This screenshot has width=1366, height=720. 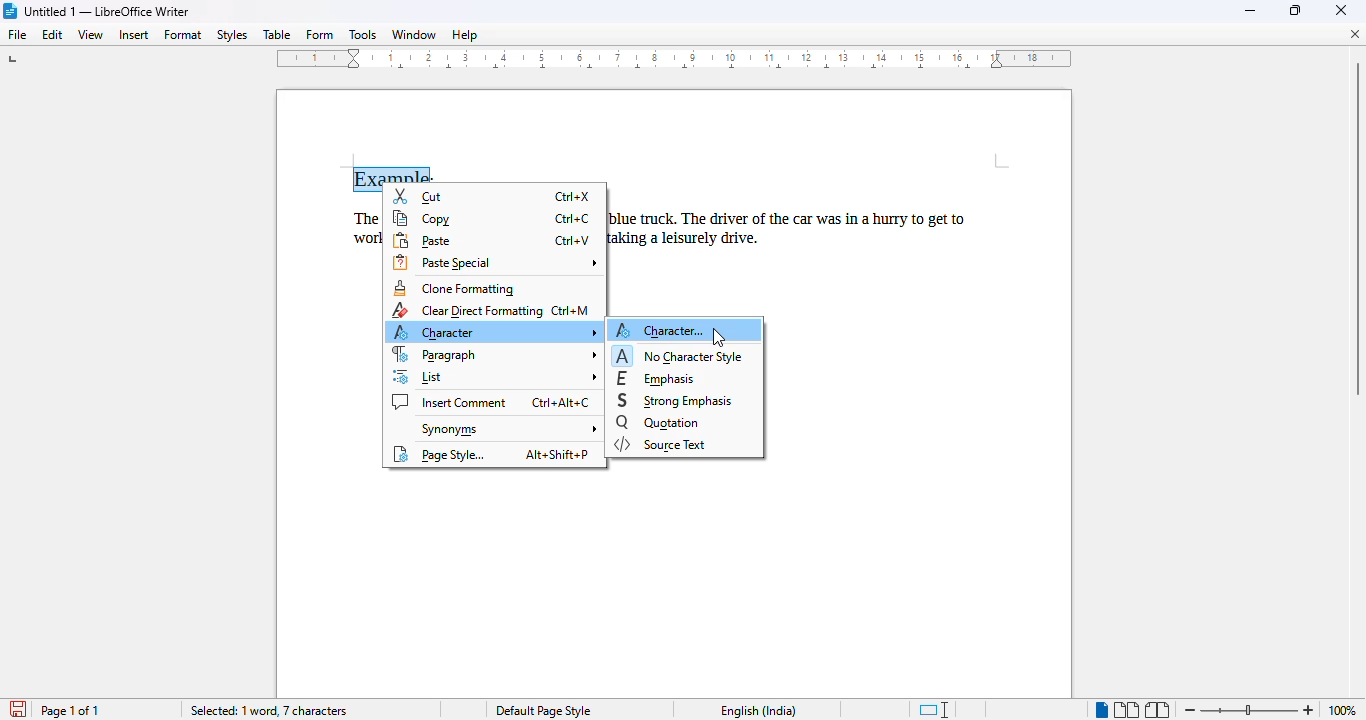 I want to click on no character style, so click(x=679, y=355).